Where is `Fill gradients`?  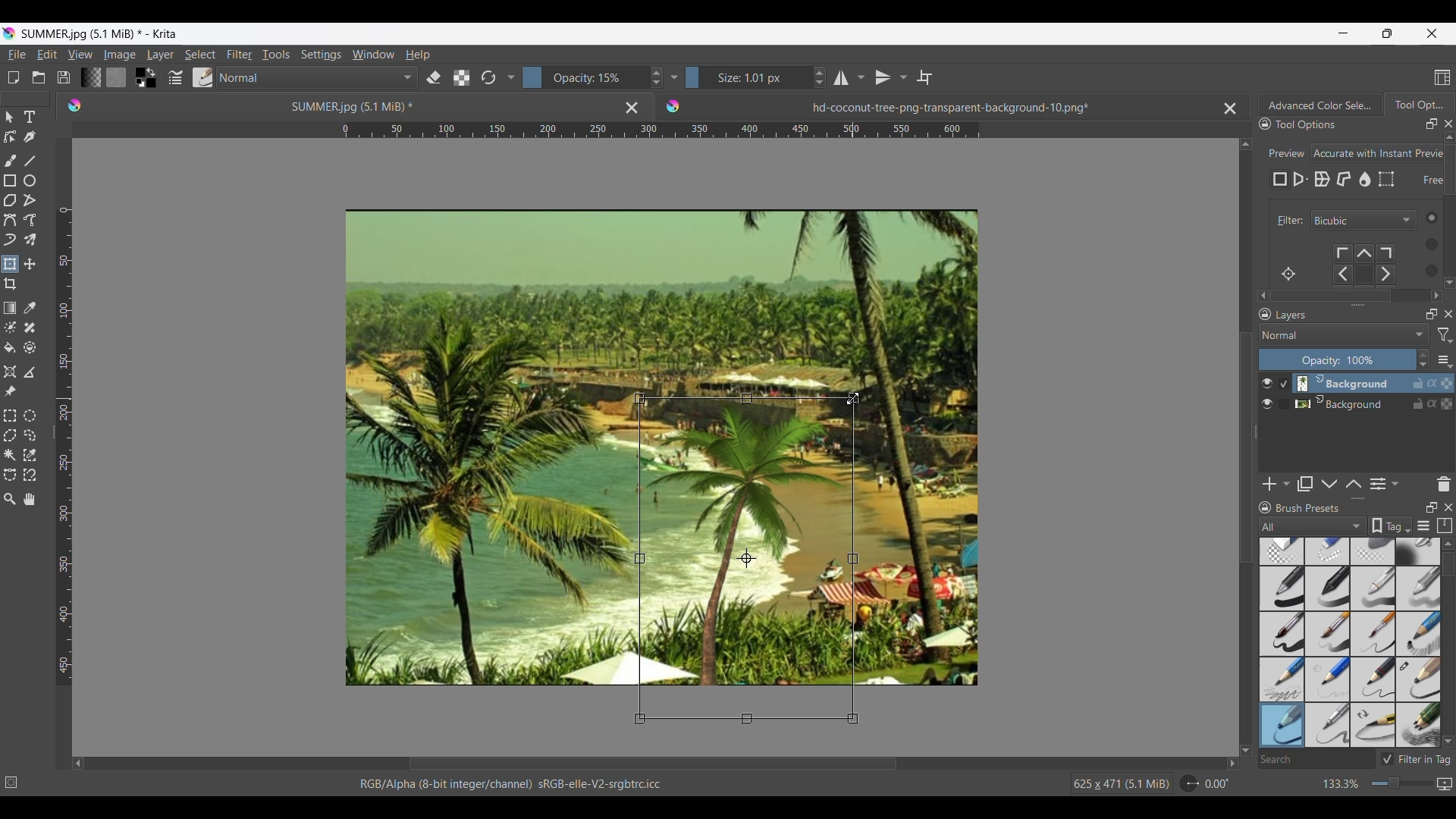 Fill gradients is located at coordinates (90, 77).